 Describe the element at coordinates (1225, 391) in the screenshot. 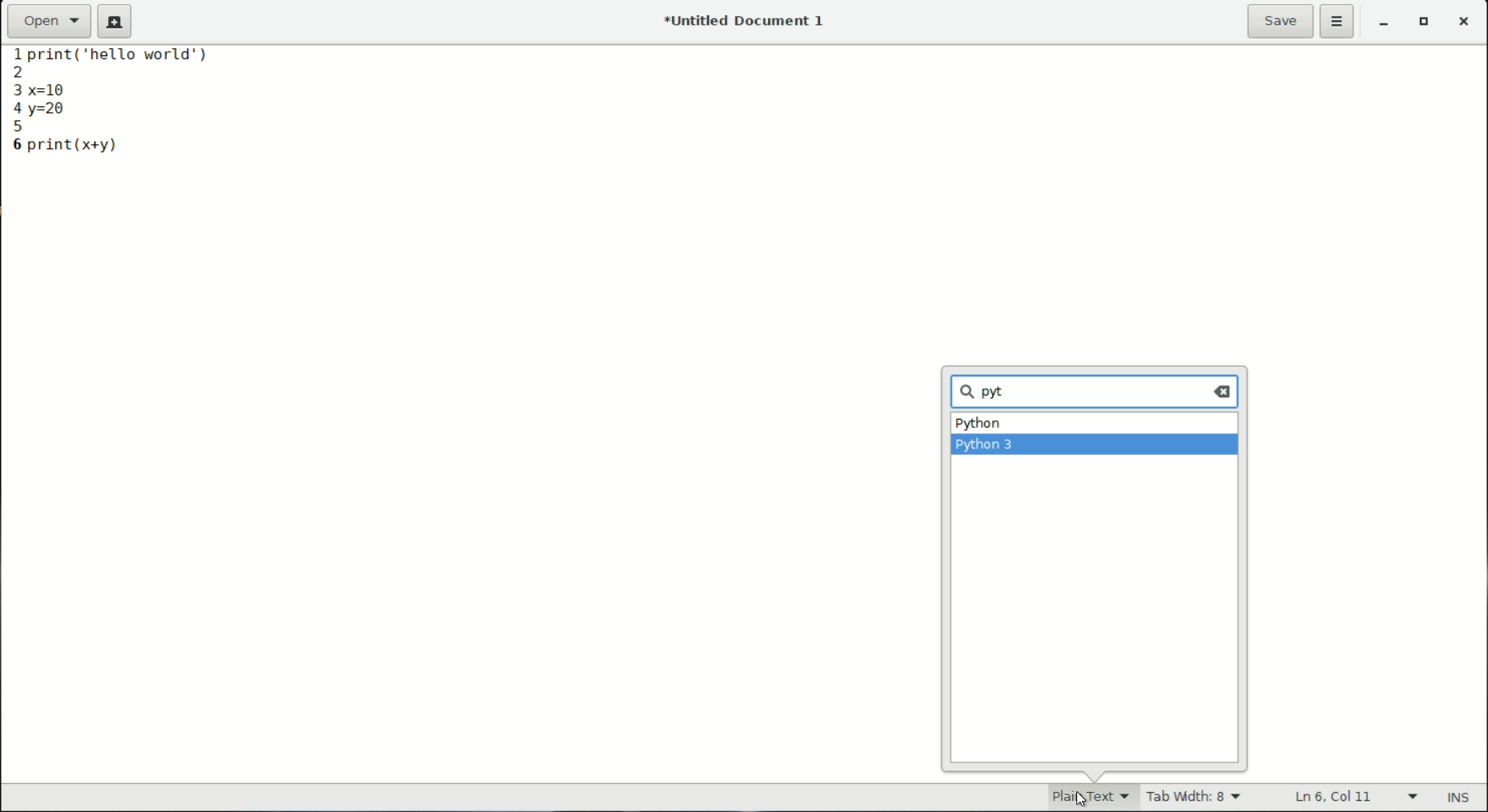

I see `clear` at that location.